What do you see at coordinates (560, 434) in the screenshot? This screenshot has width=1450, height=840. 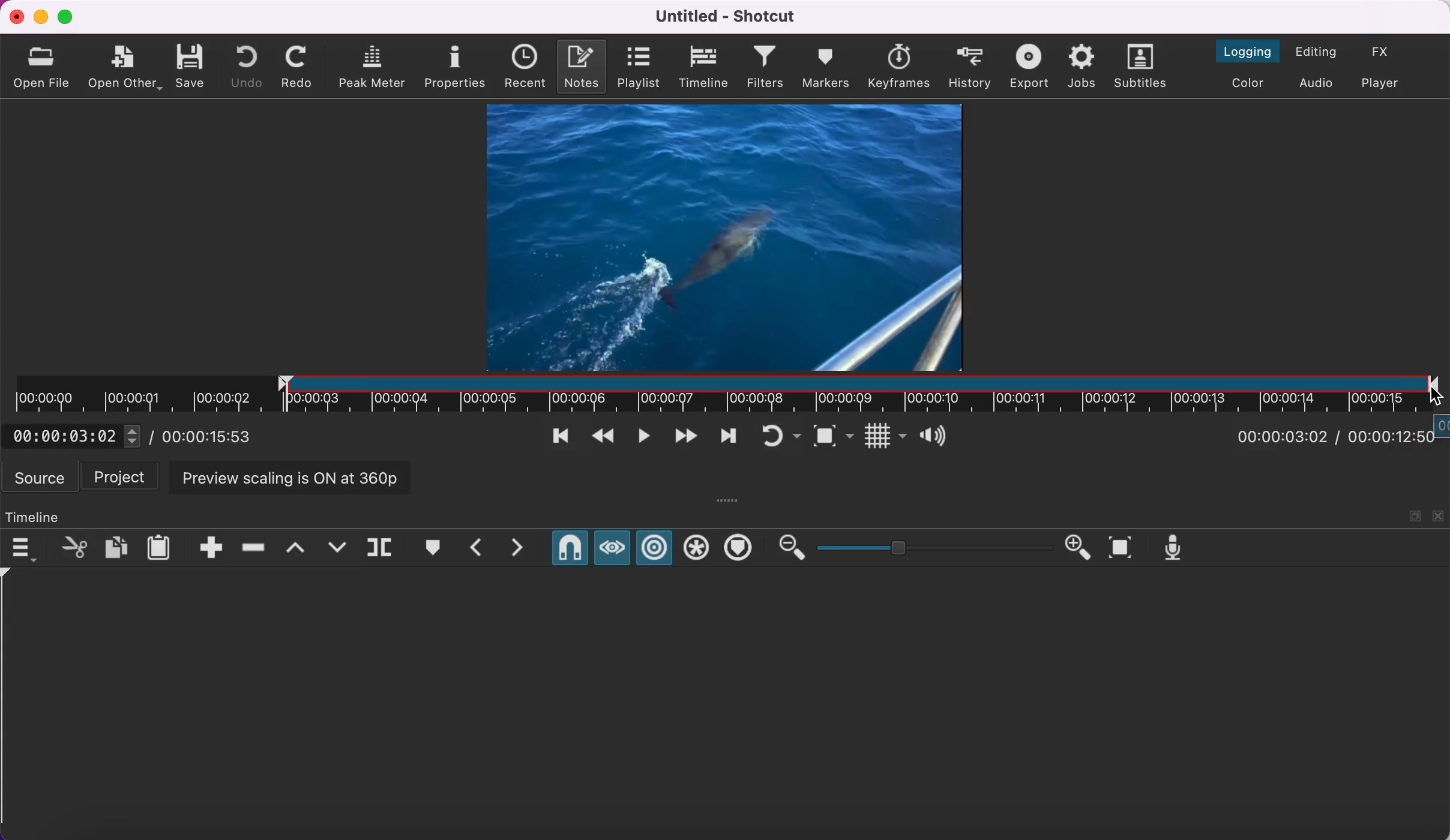 I see `skip to previous point` at bounding box center [560, 434].